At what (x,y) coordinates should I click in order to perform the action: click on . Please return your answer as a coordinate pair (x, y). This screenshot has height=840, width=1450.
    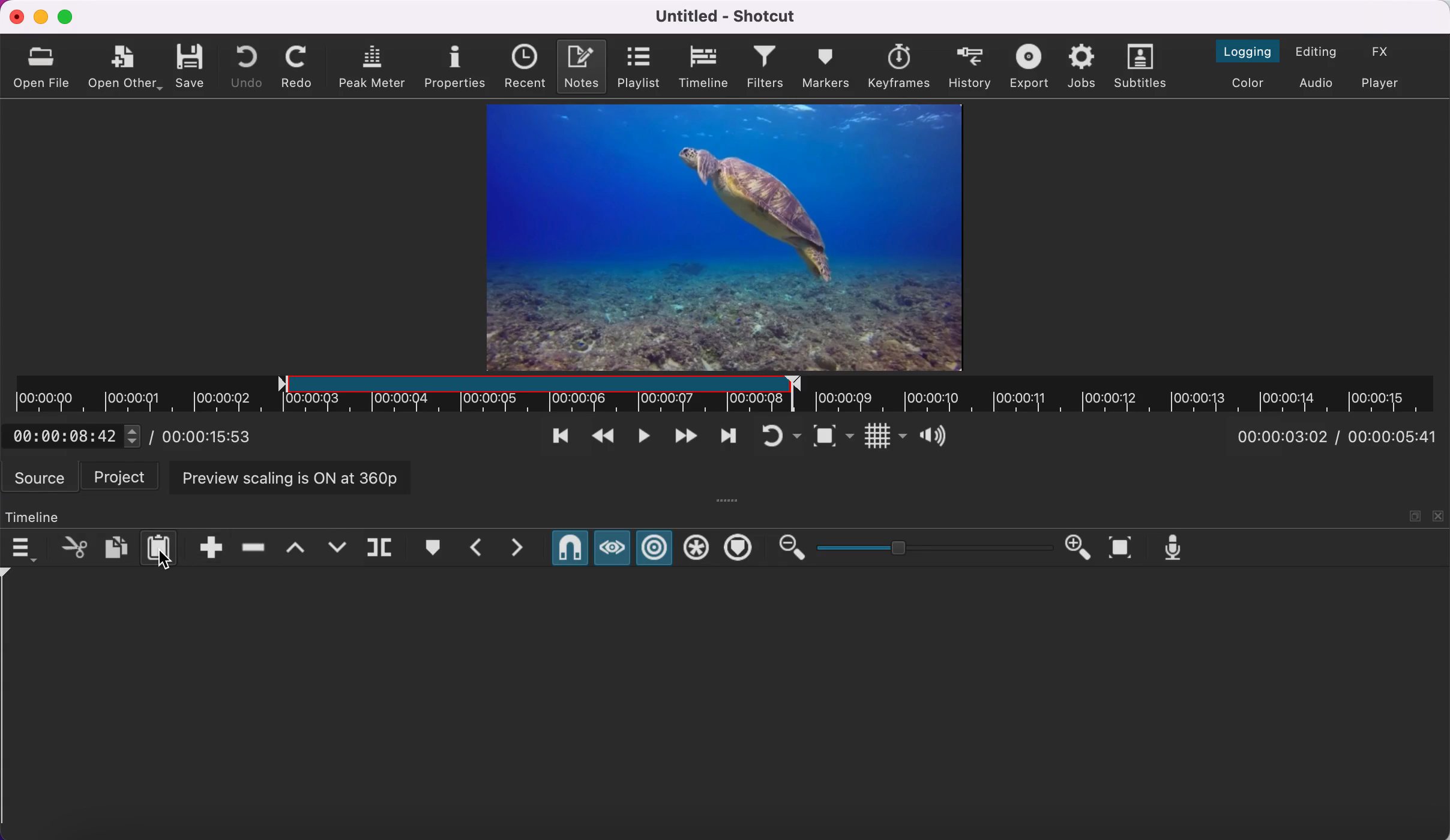
    Looking at the image, I should click on (775, 436).